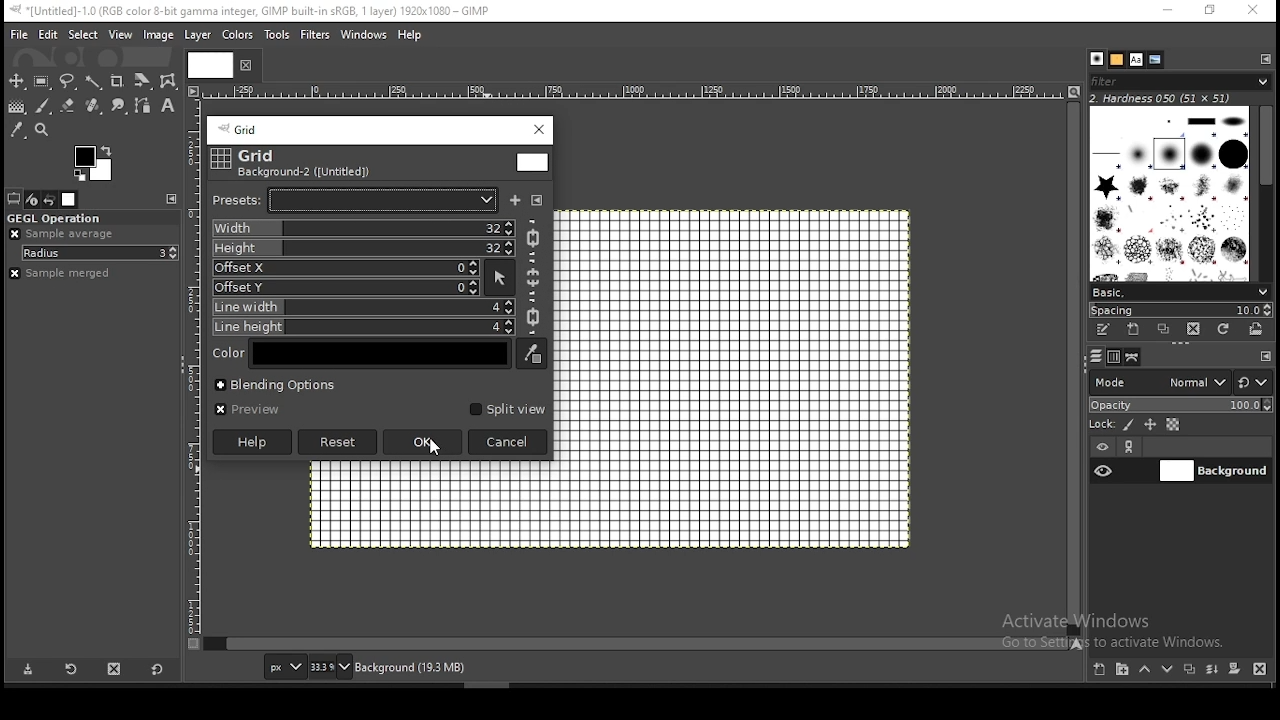 The image size is (1280, 720). Describe the element at coordinates (69, 107) in the screenshot. I see `eraser tool` at that location.